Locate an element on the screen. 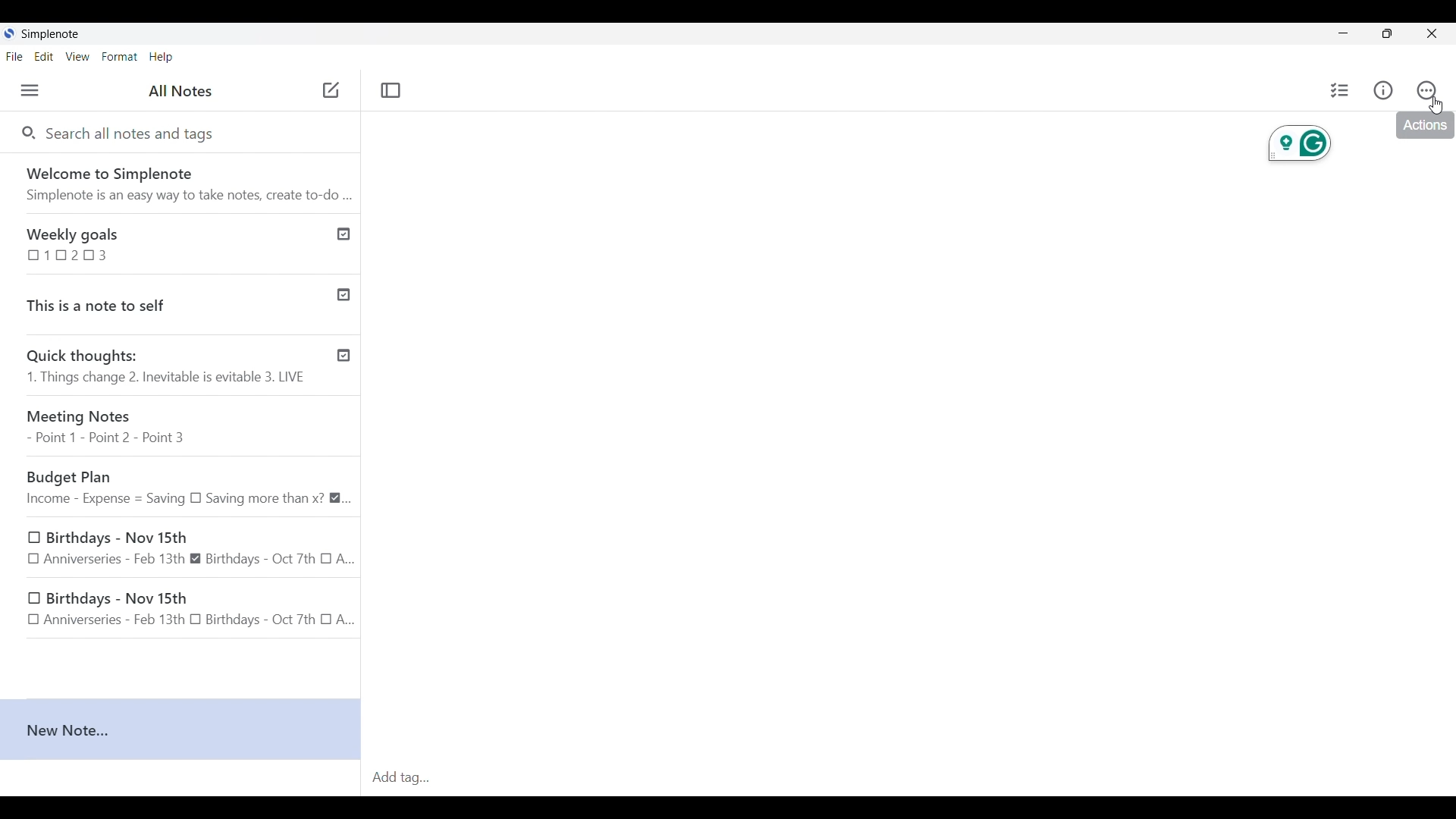 This screenshot has width=1456, height=819. Title of left panel is located at coordinates (180, 90).